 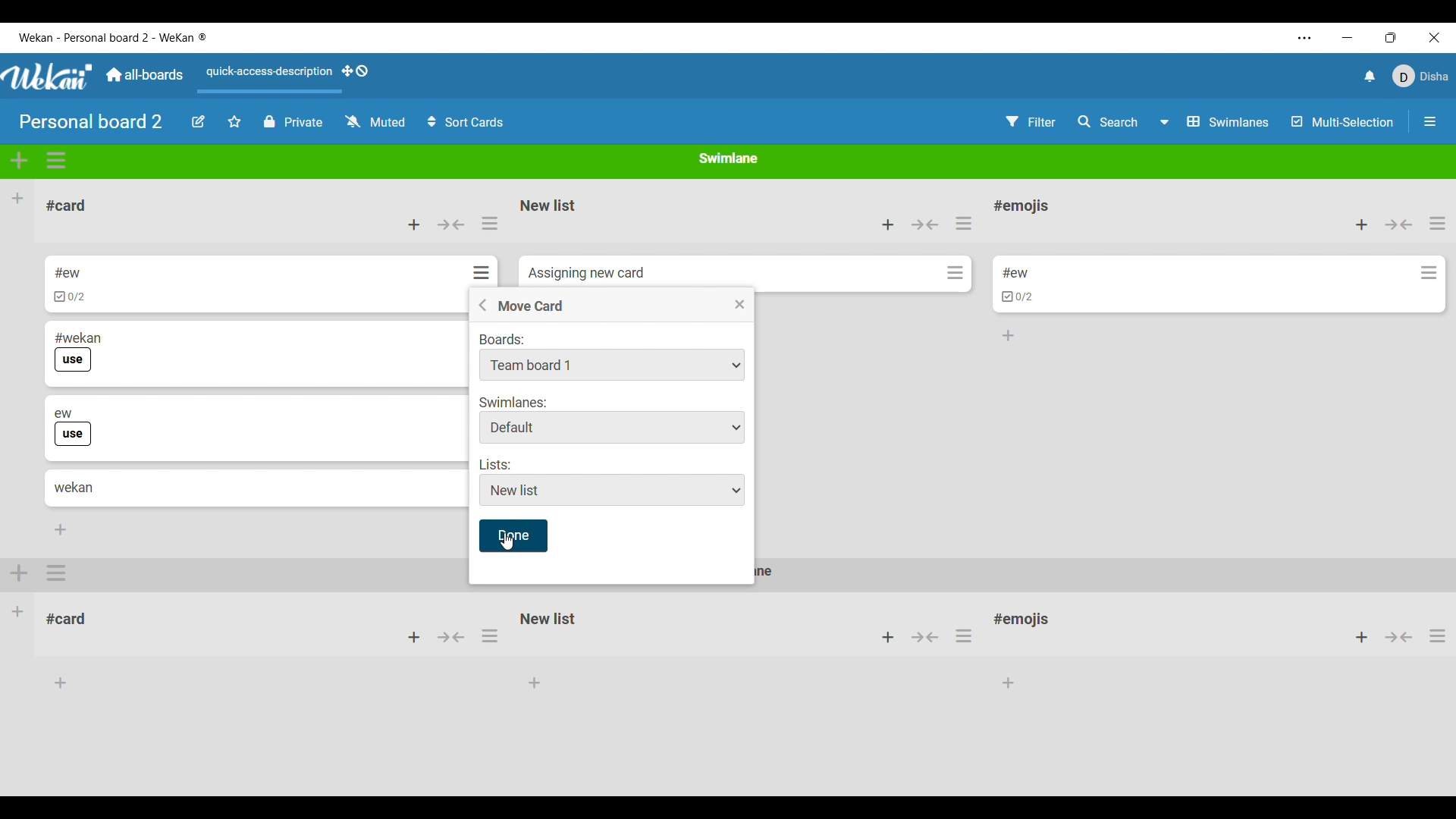 What do you see at coordinates (548, 618) in the screenshot?
I see `New list` at bounding box center [548, 618].